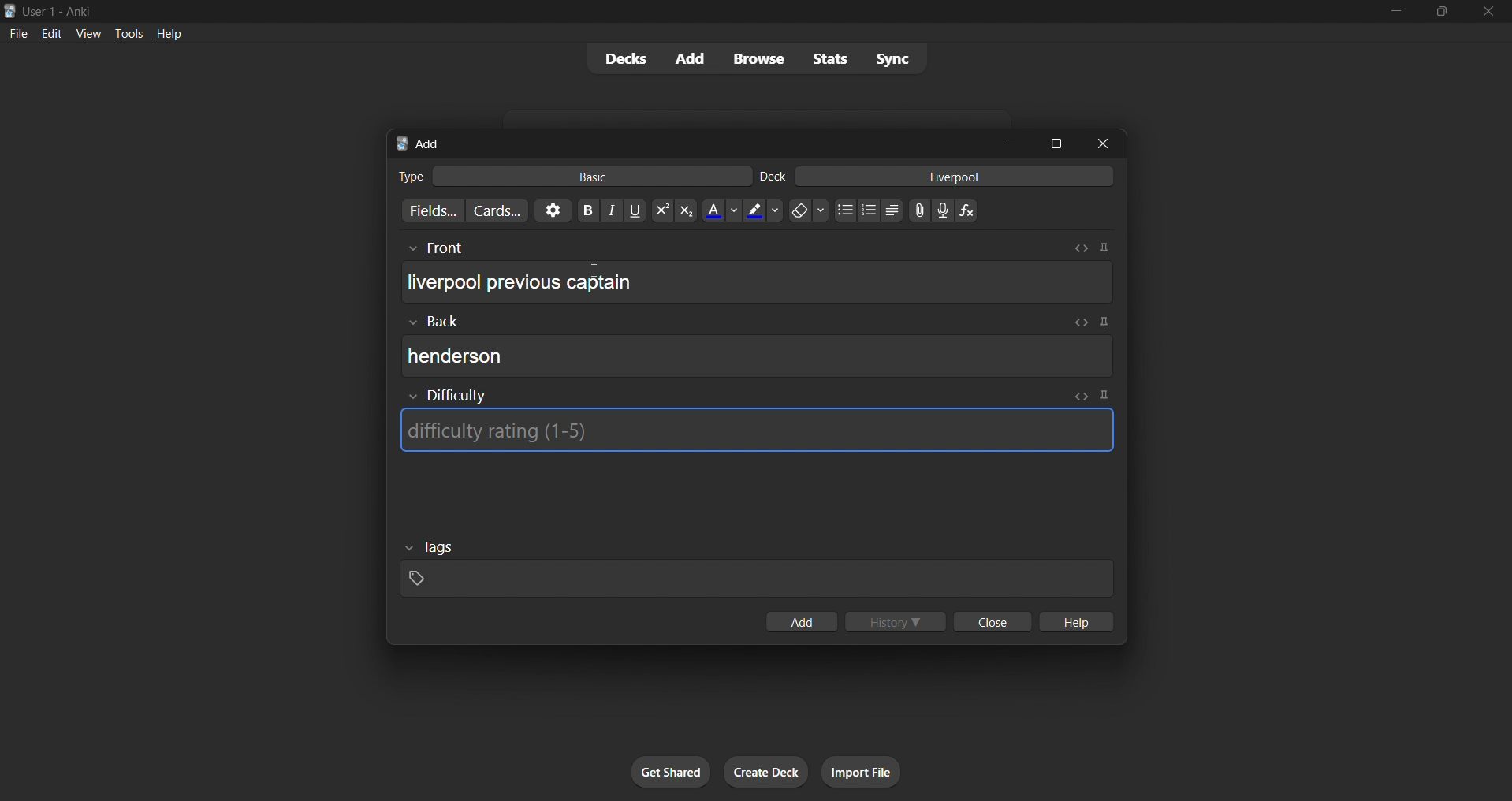 This screenshot has width=1512, height=801. What do you see at coordinates (808, 210) in the screenshot?
I see `clear` at bounding box center [808, 210].